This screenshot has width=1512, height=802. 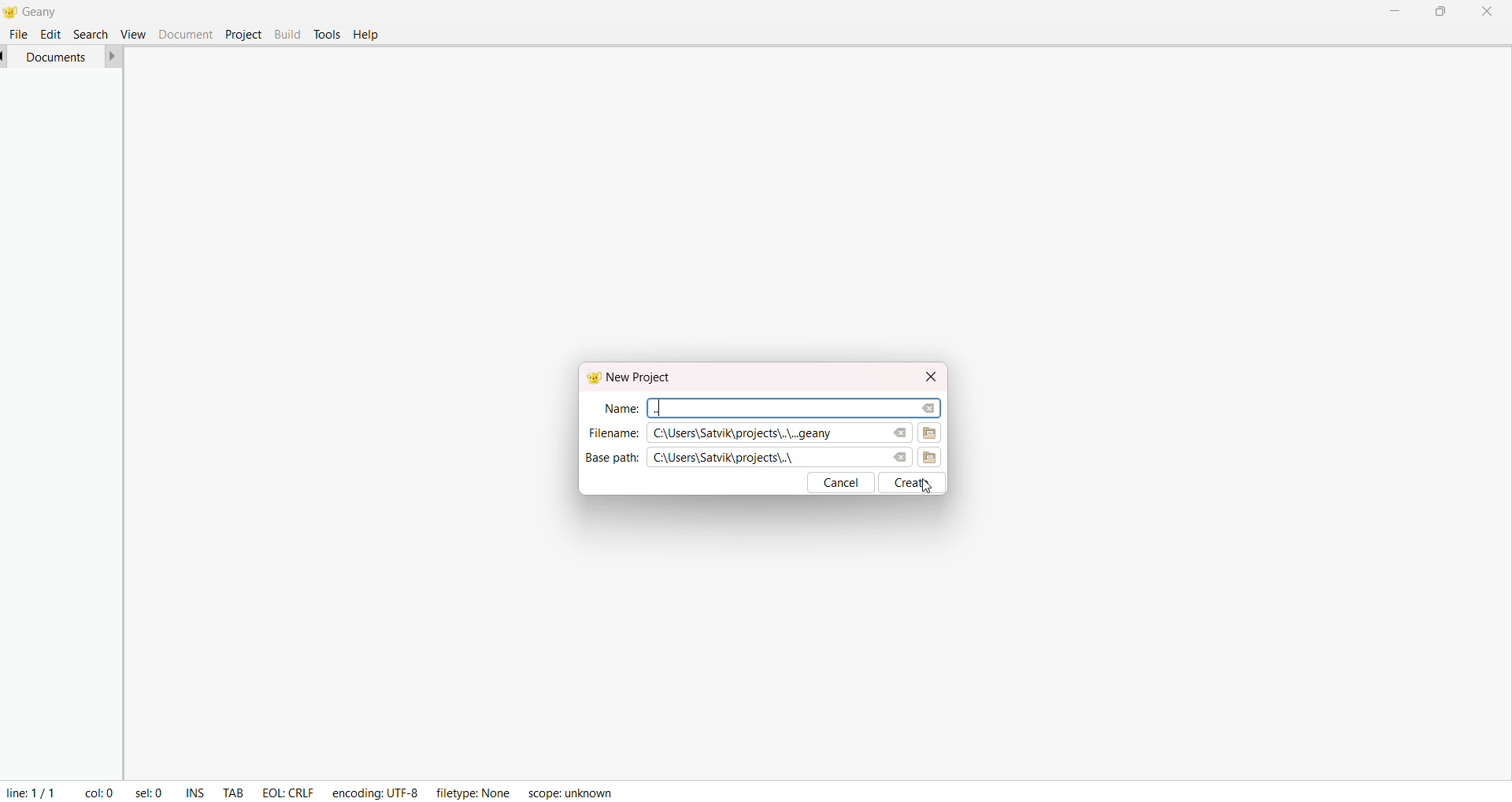 What do you see at coordinates (662, 407) in the screenshot?
I see `..` at bounding box center [662, 407].